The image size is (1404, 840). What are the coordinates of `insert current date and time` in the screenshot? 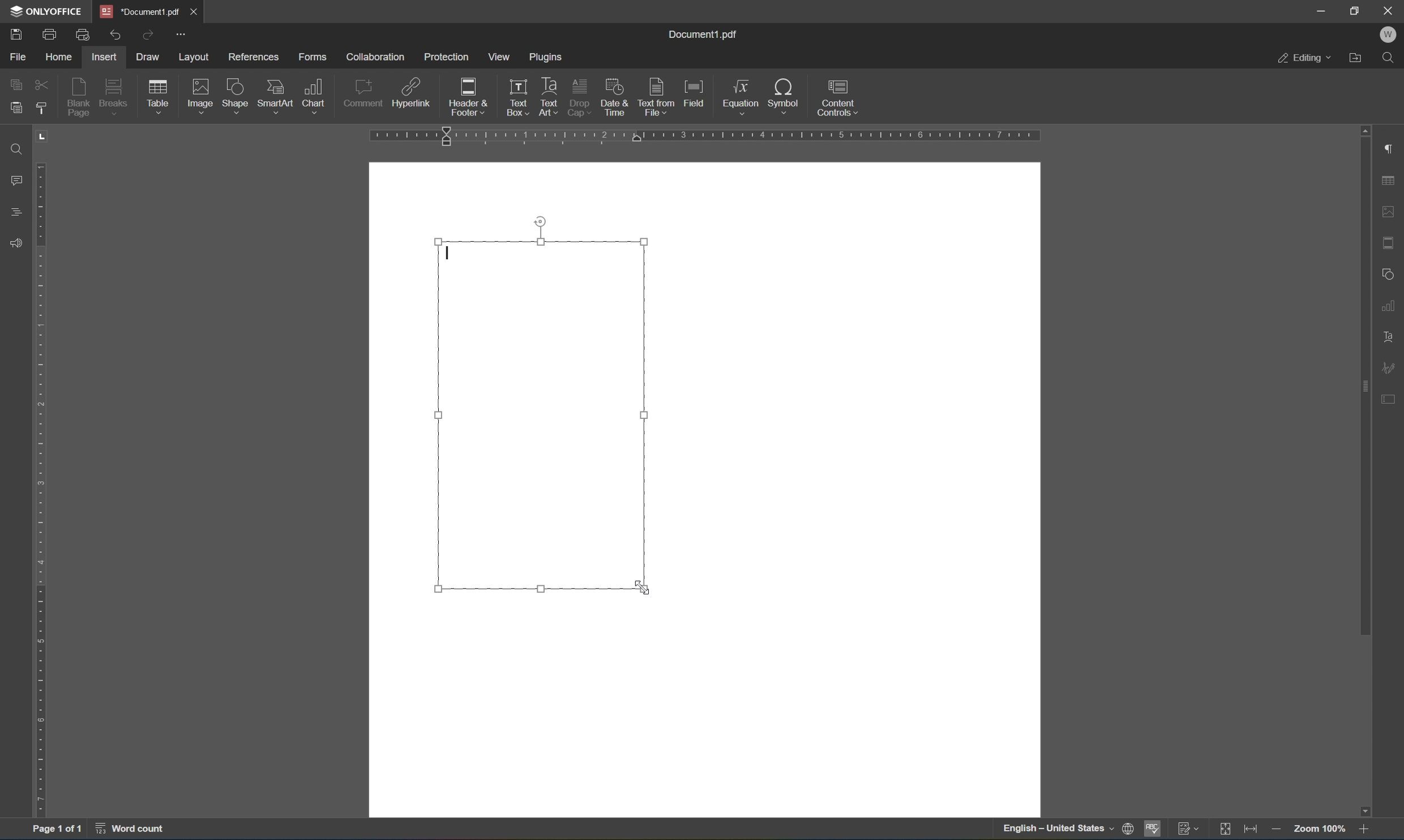 It's located at (613, 96).